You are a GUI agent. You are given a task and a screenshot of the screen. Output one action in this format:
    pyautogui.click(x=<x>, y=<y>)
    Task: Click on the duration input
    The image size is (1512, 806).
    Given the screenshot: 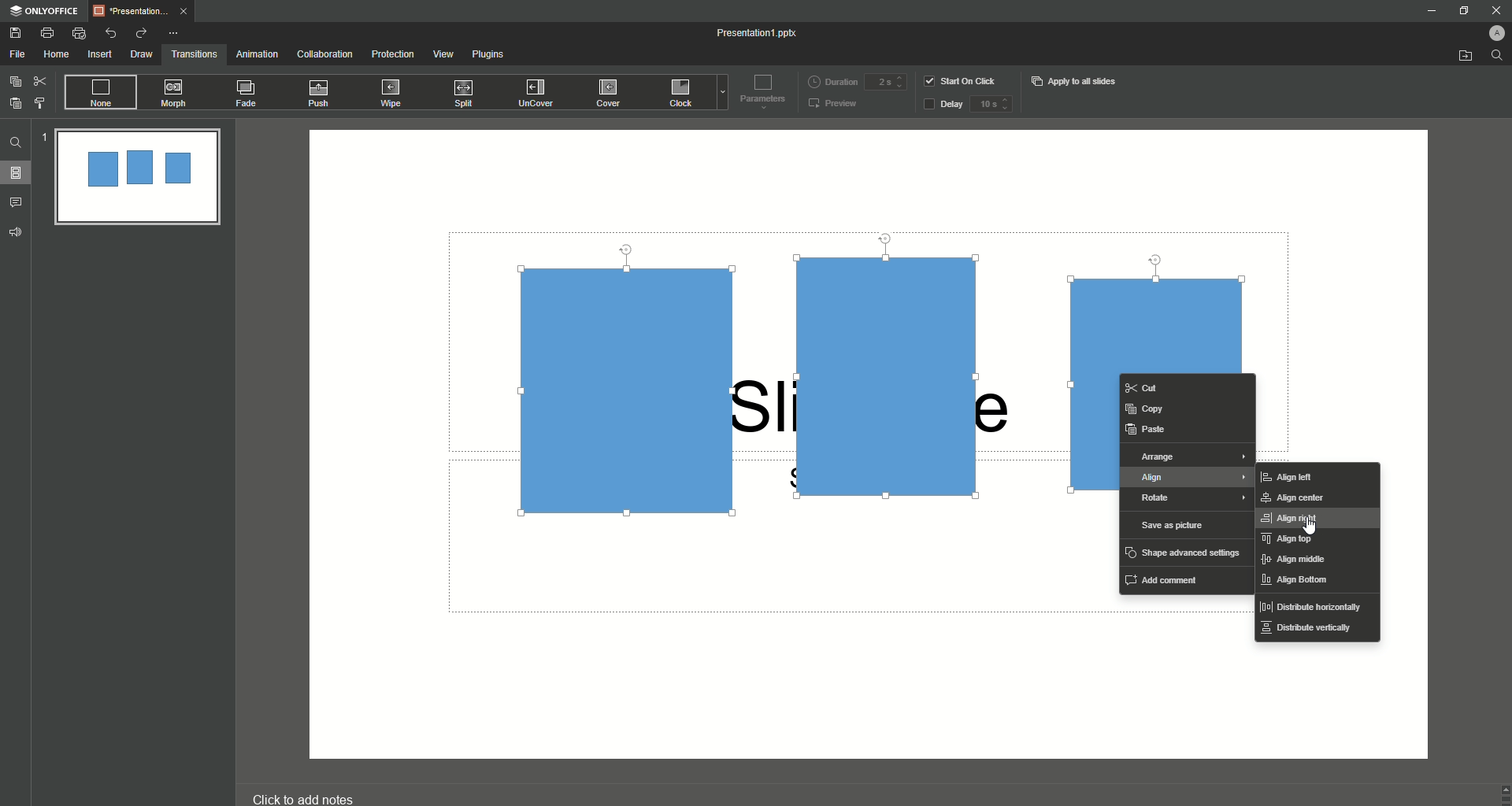 What is the action you would take?
    pyautogui.click(x=885, y=83)
    